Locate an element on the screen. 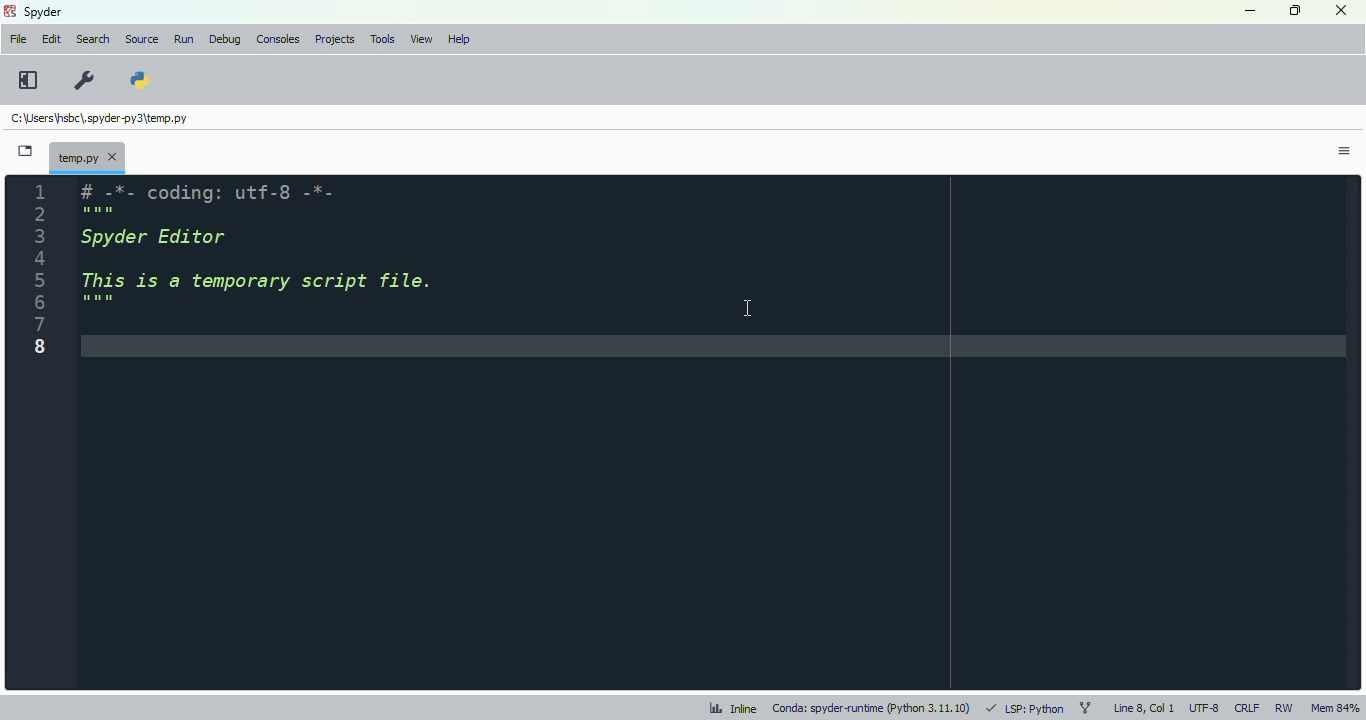 The height and width of the screenshot is (720, 1366). close is located at coordinates (1340, 11).